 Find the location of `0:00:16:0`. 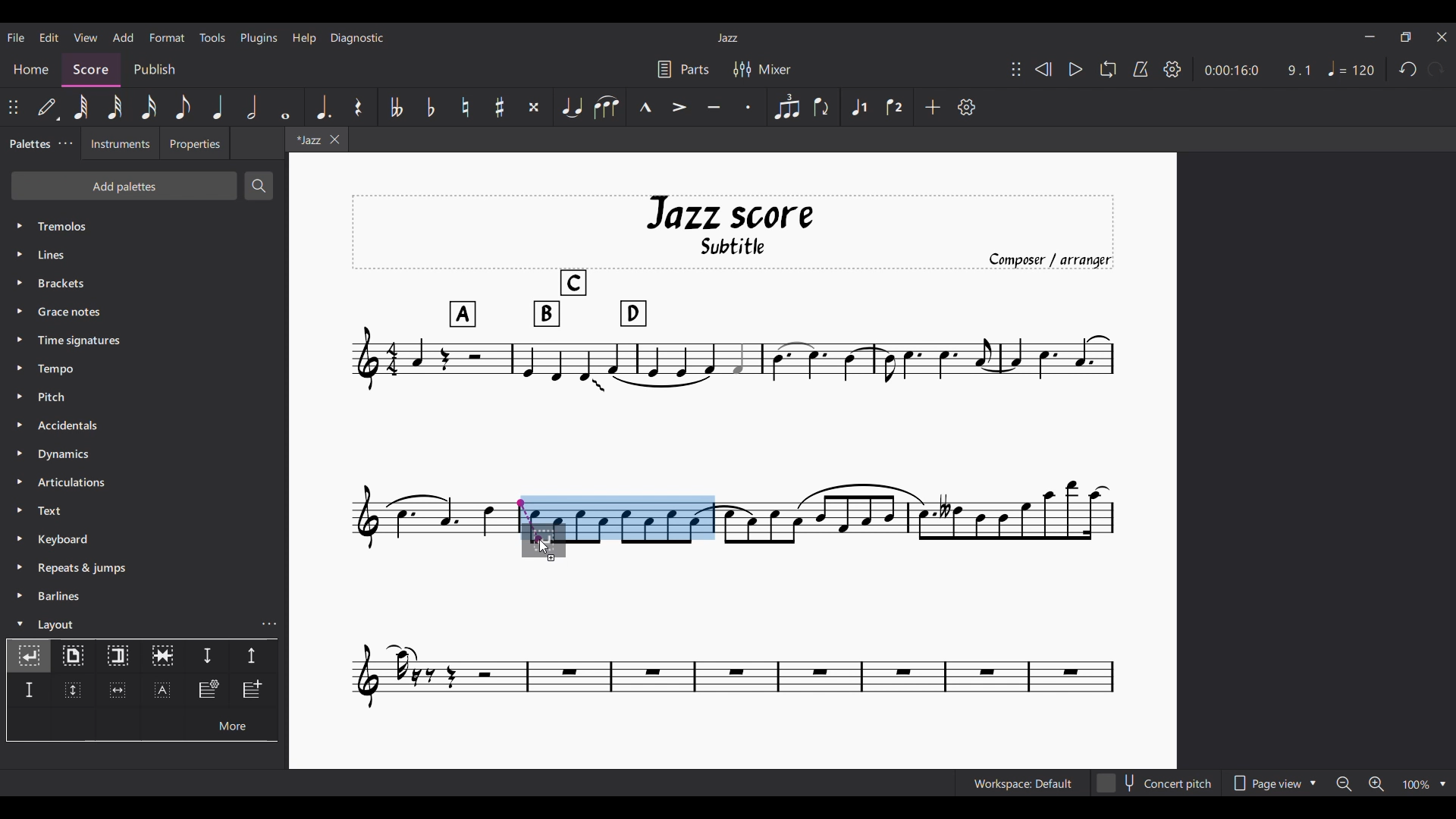

0:00:16:0 is located at coordinates (1231, 71).